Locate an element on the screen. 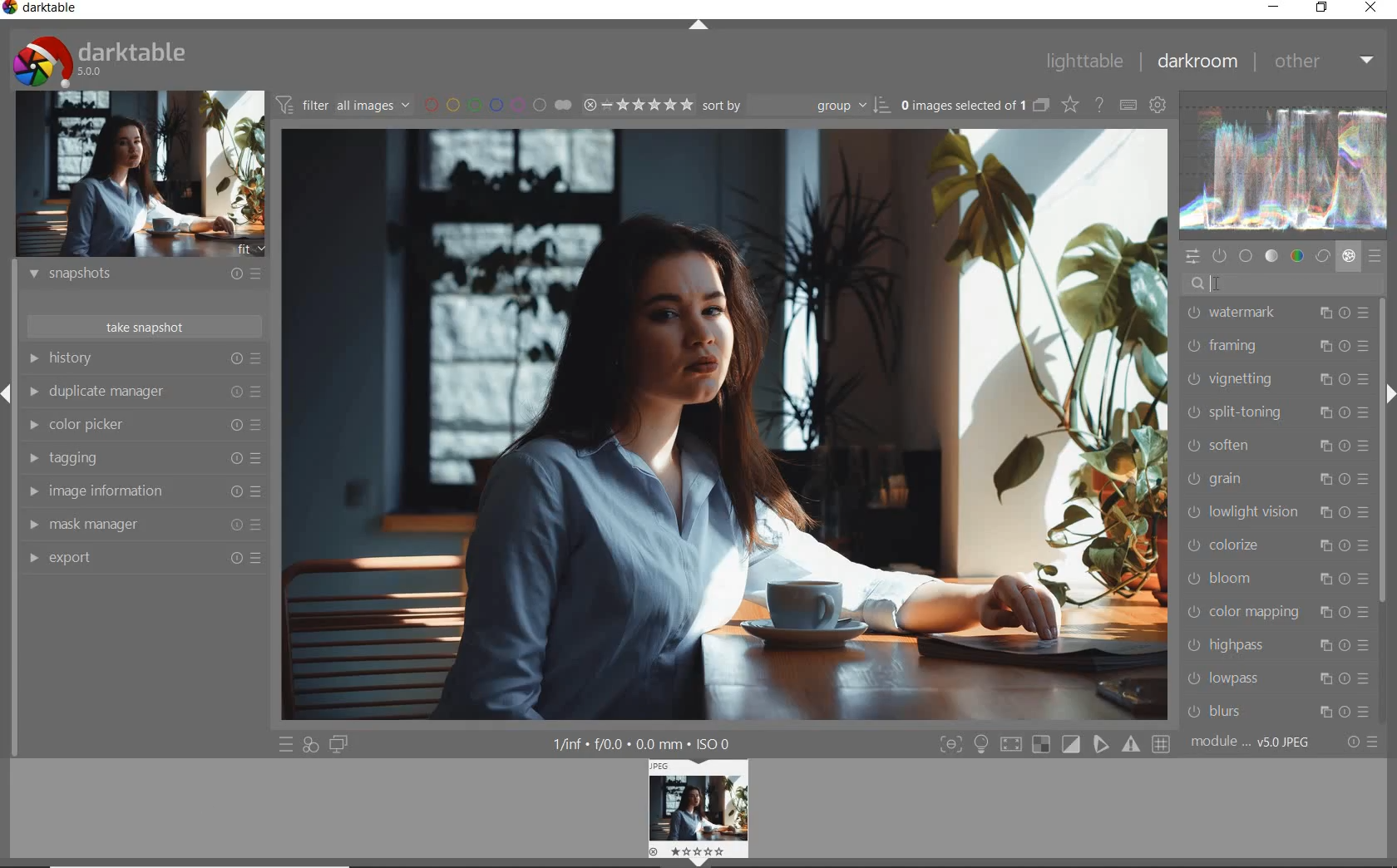 This screenshot has height=868, width=1397. presets is located at coordinates (1376, 255).